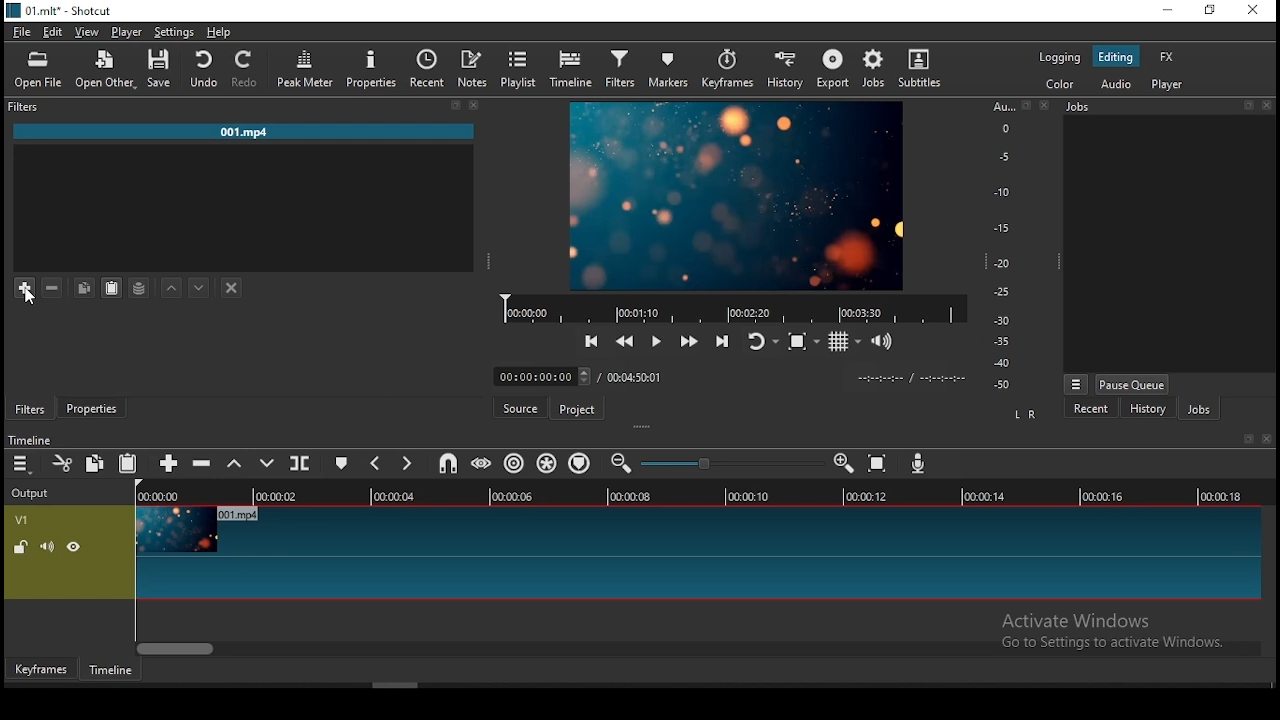 This screenshot has height=720, width=1280. Describe the element at coordinates (1085, 410) in the screenshot. I see `recent` at that location.